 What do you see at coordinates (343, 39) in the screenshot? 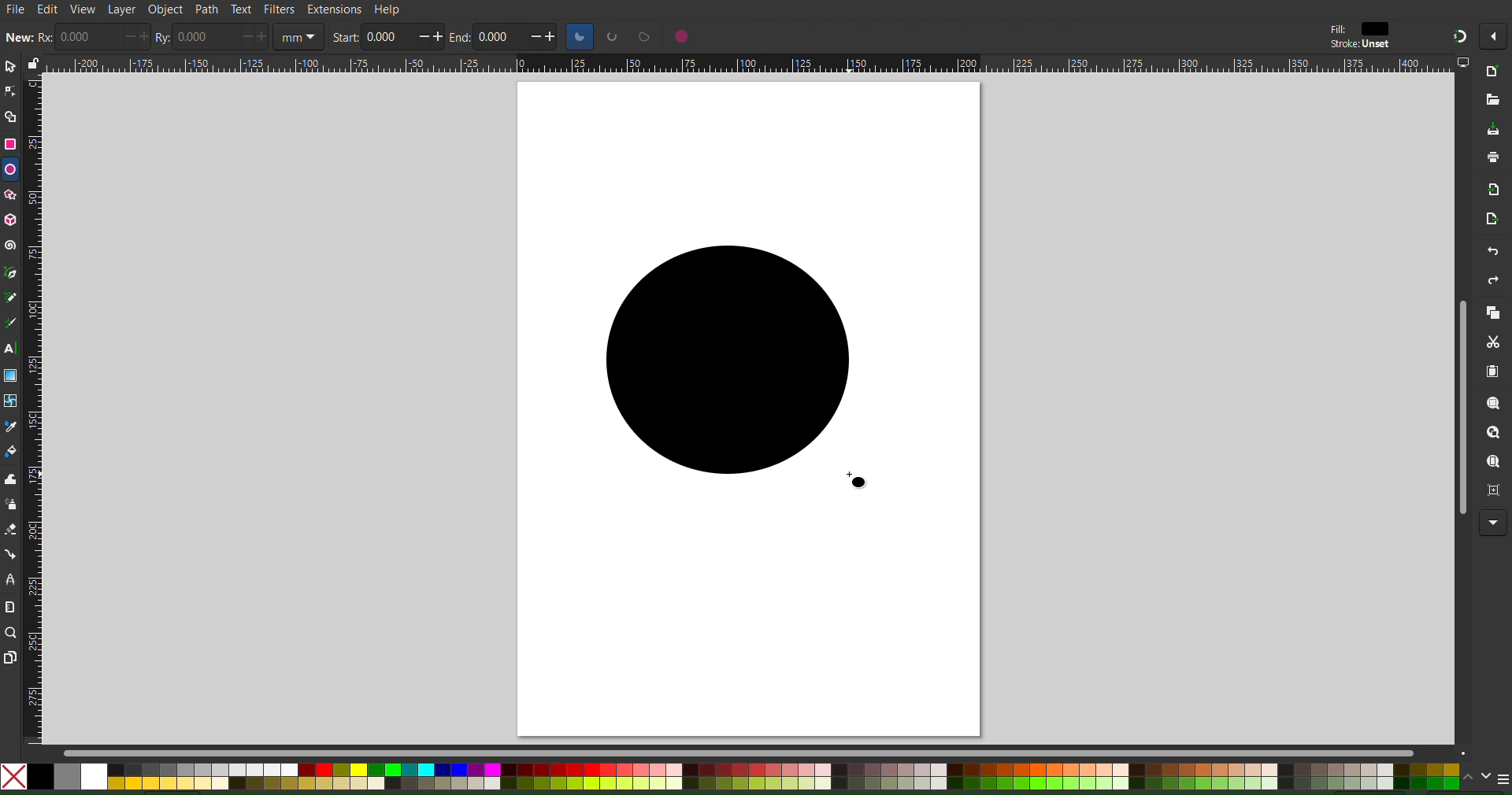
I see `start` at bounding box center [343, 39].